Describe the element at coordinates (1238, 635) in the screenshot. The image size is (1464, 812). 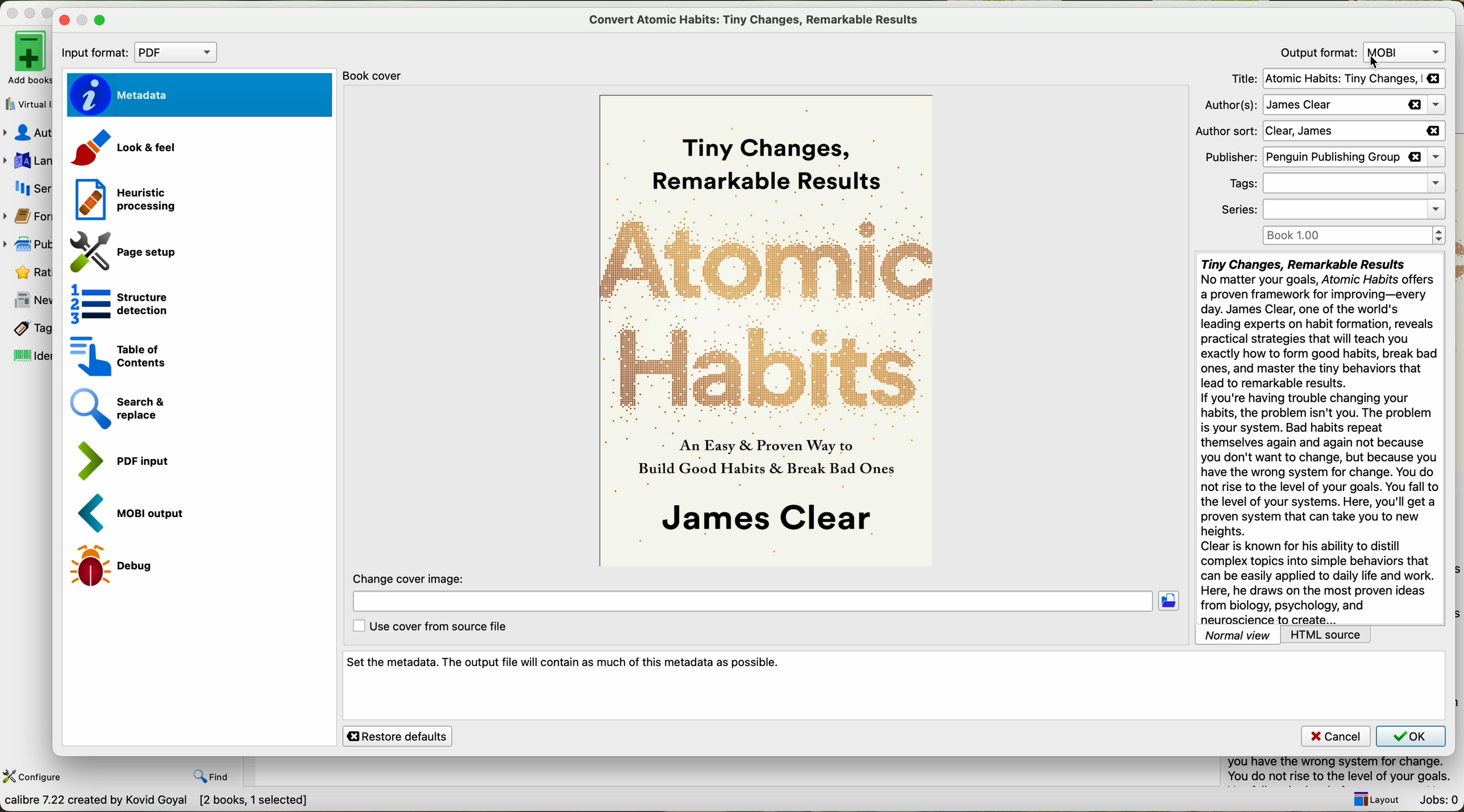
I see `normal view` at that location.